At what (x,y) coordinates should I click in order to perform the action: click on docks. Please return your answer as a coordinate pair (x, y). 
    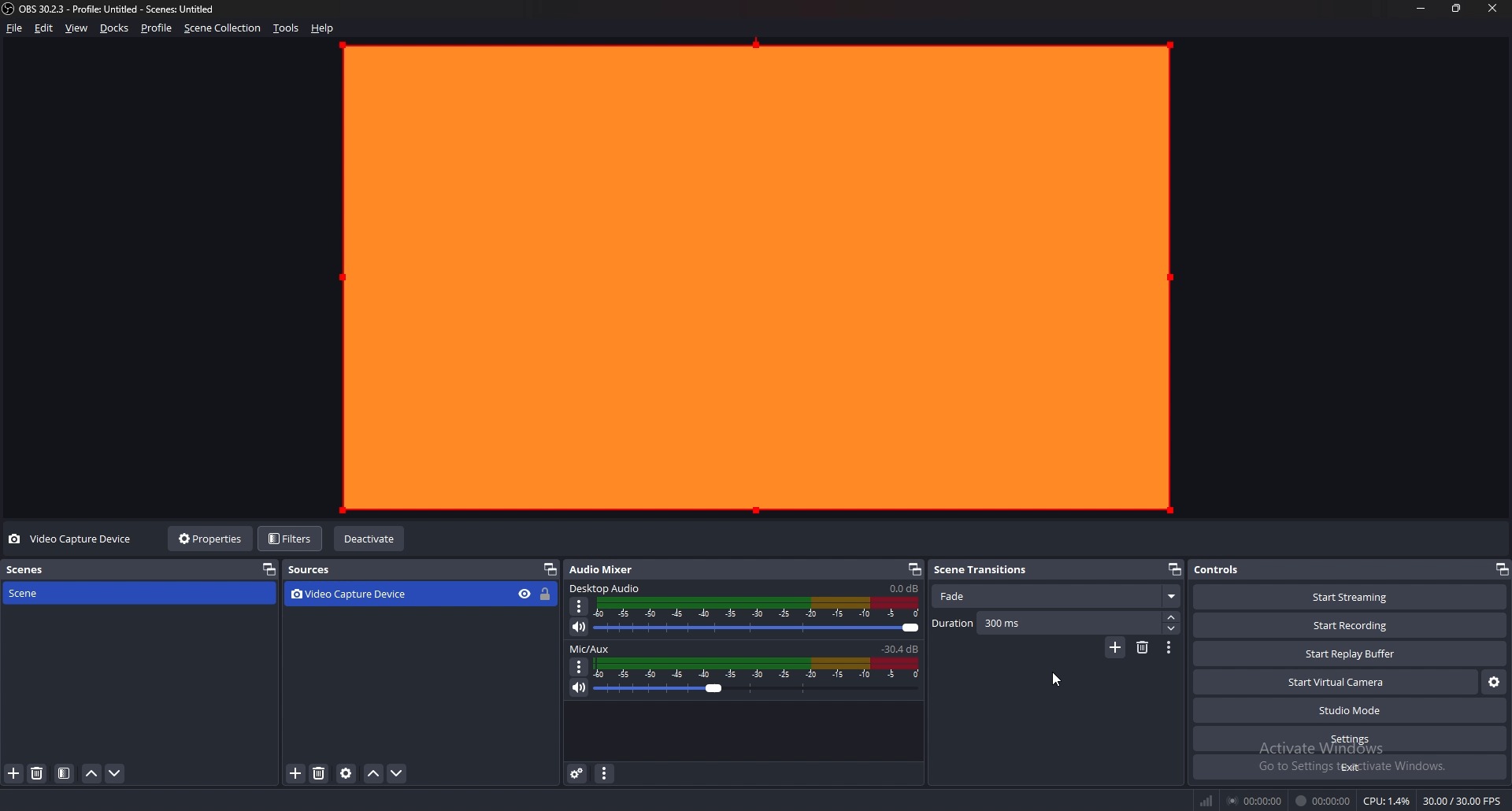
    Looking at the image, I should click on (115, 28).